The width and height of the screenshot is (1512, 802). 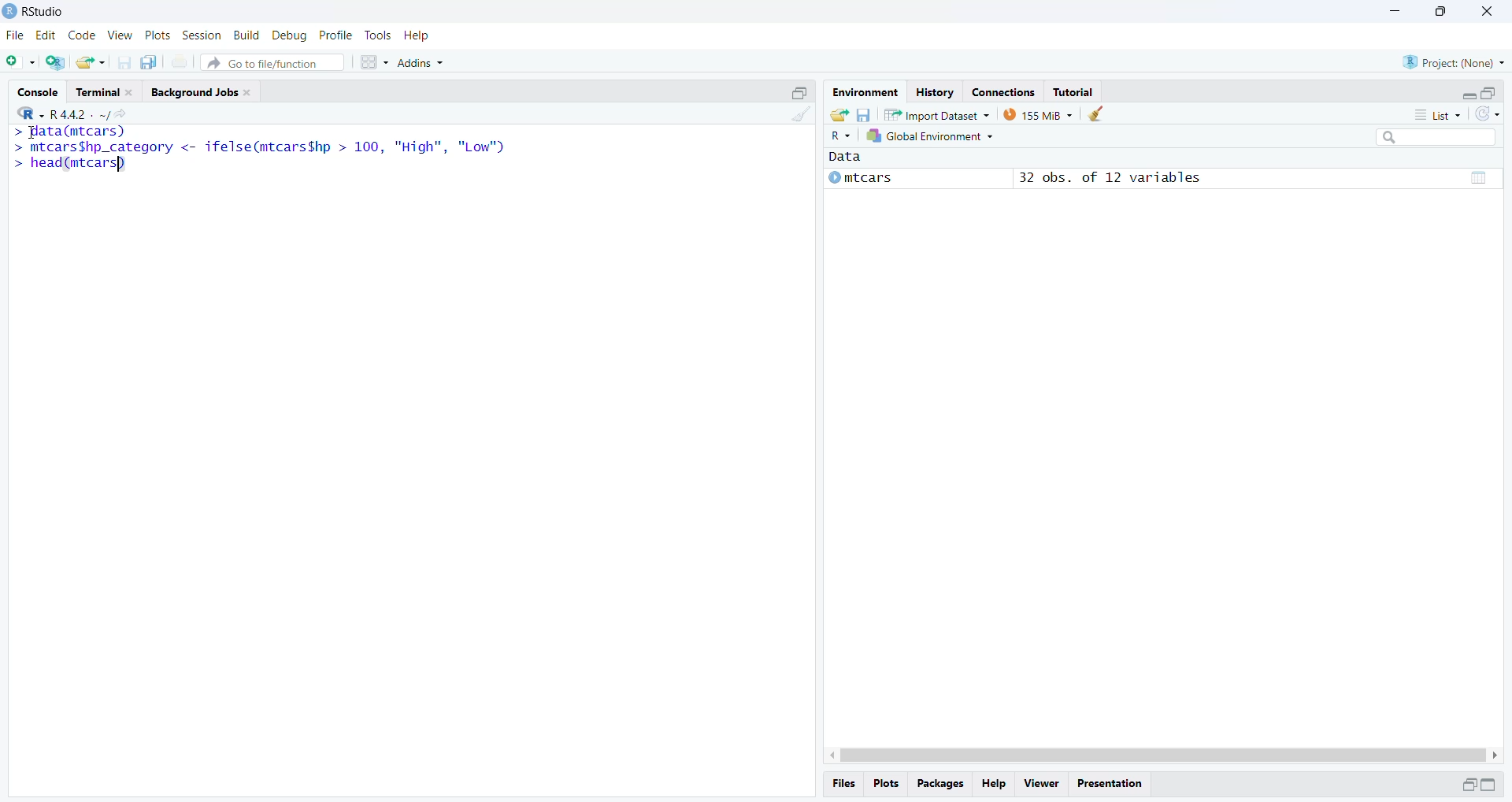 What do you see at coordinates (81, 35) in the screenshot?
I see `Code` at bounding box center [81, 35].